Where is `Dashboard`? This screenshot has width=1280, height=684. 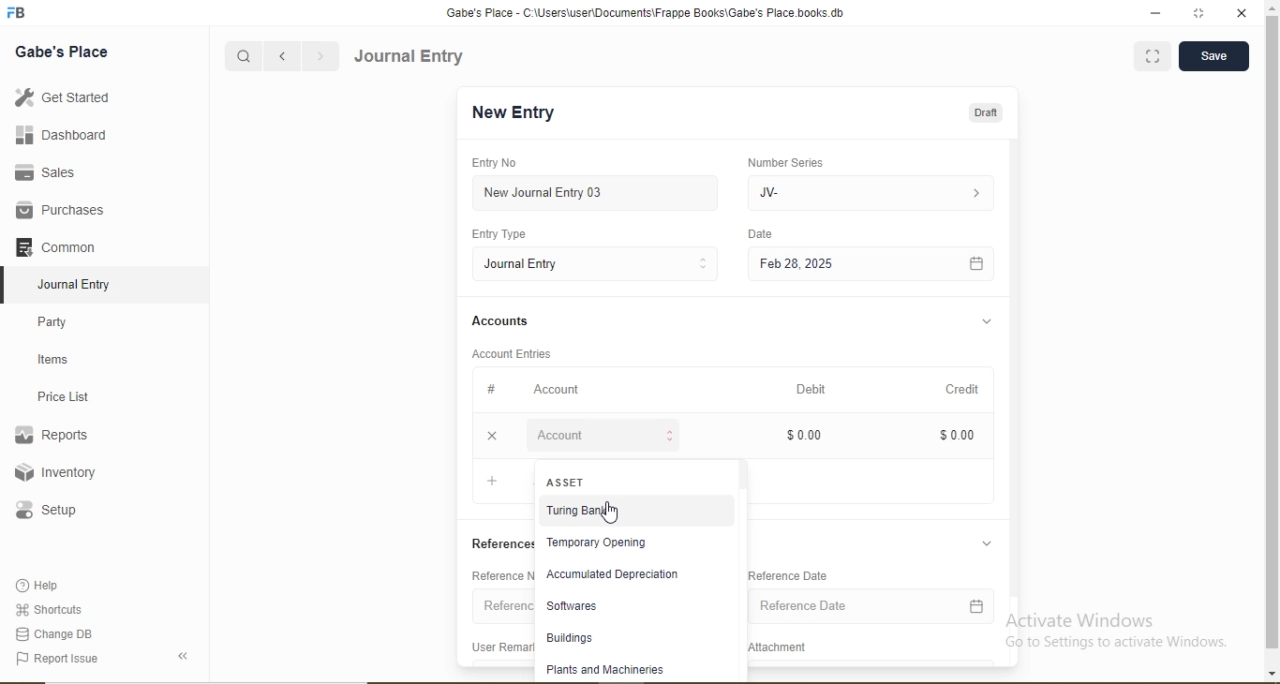 Dashboard is located at coordinates (62, 134).